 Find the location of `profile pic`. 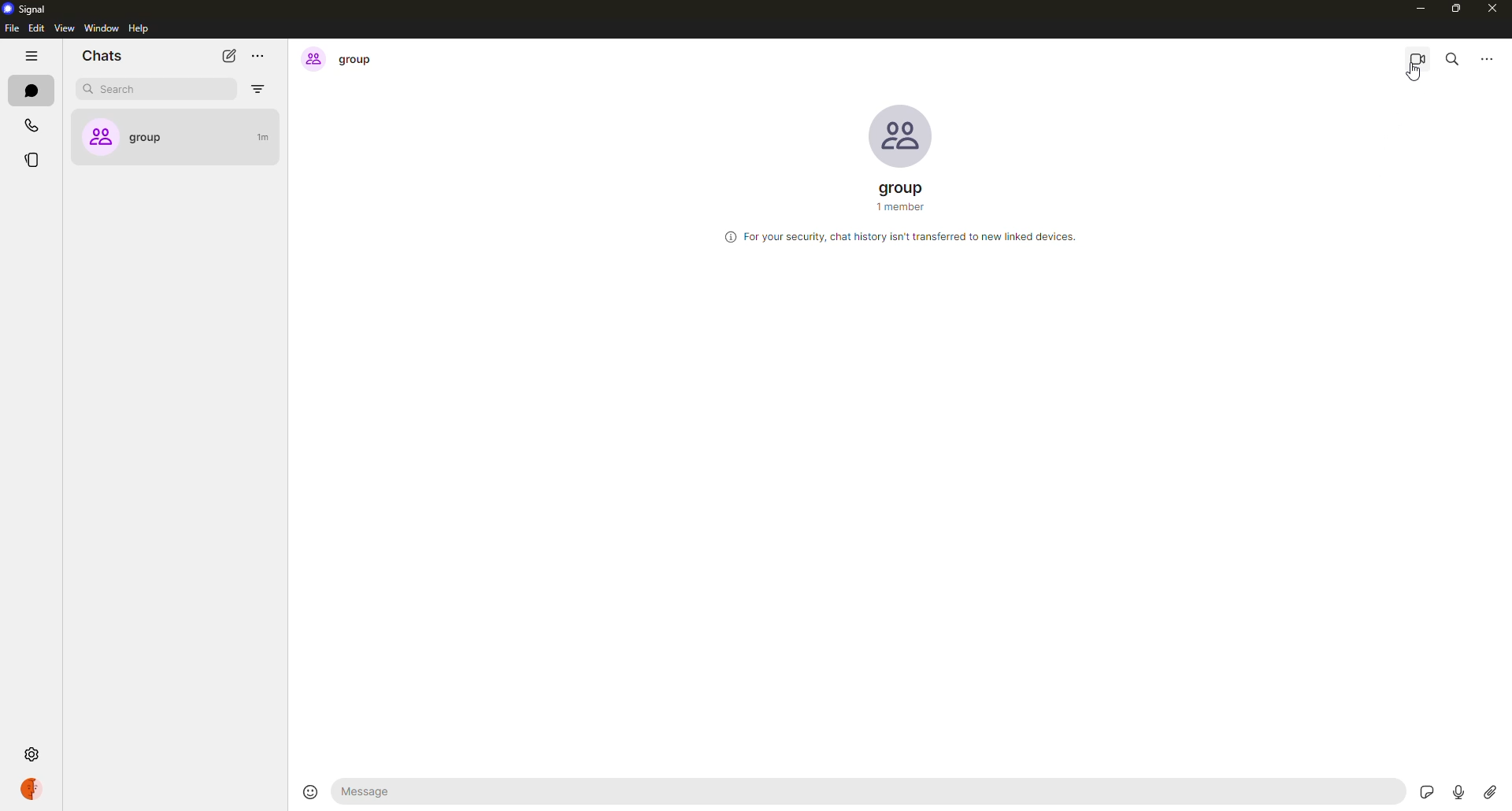

profile pic is located at coordinates (905, 133).